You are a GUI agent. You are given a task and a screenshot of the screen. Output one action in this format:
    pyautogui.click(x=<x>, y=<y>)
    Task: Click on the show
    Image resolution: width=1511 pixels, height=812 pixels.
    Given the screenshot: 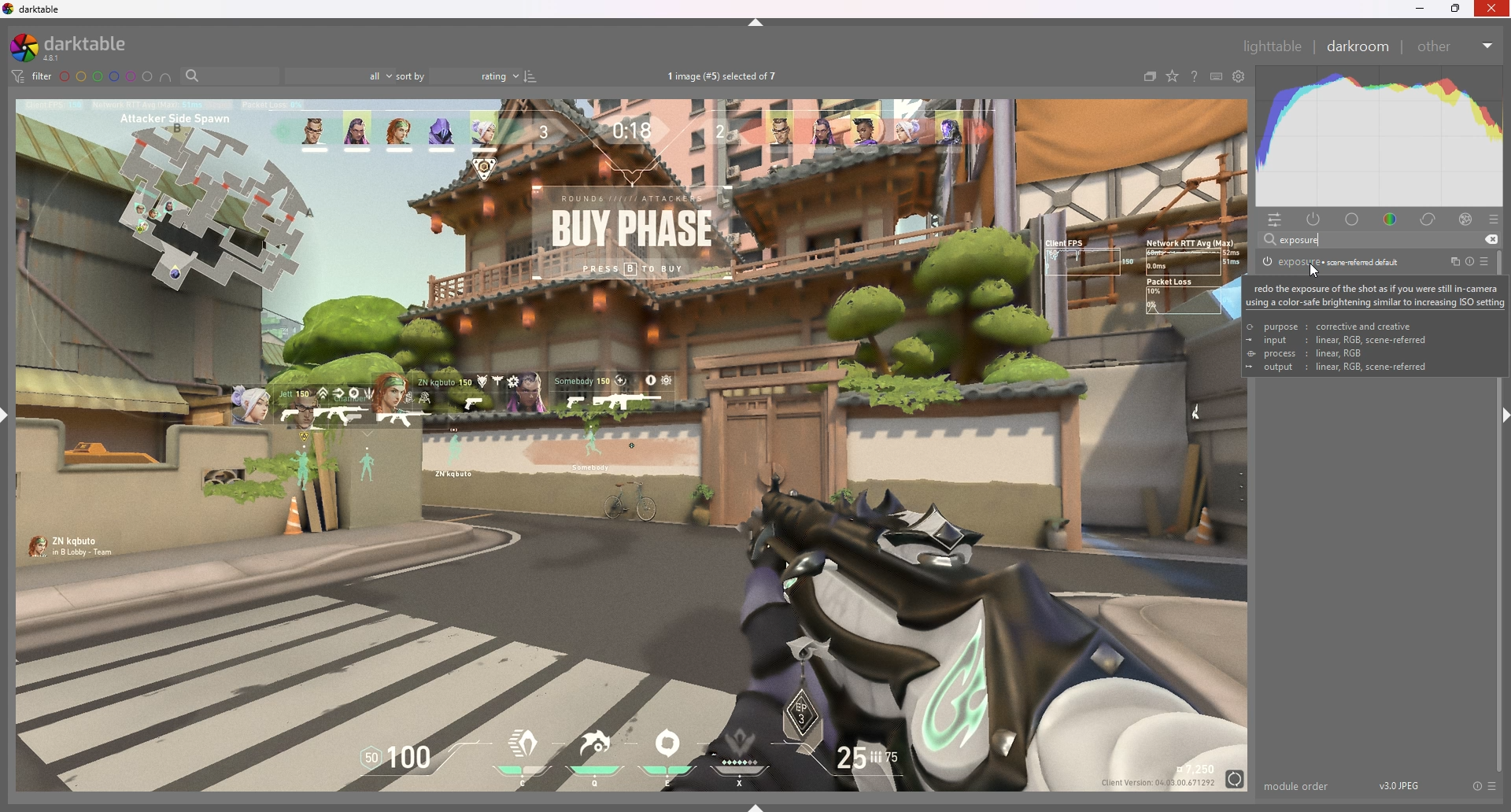 What is the action you would take?
    pyautogui.click(x=756, y=806)
    